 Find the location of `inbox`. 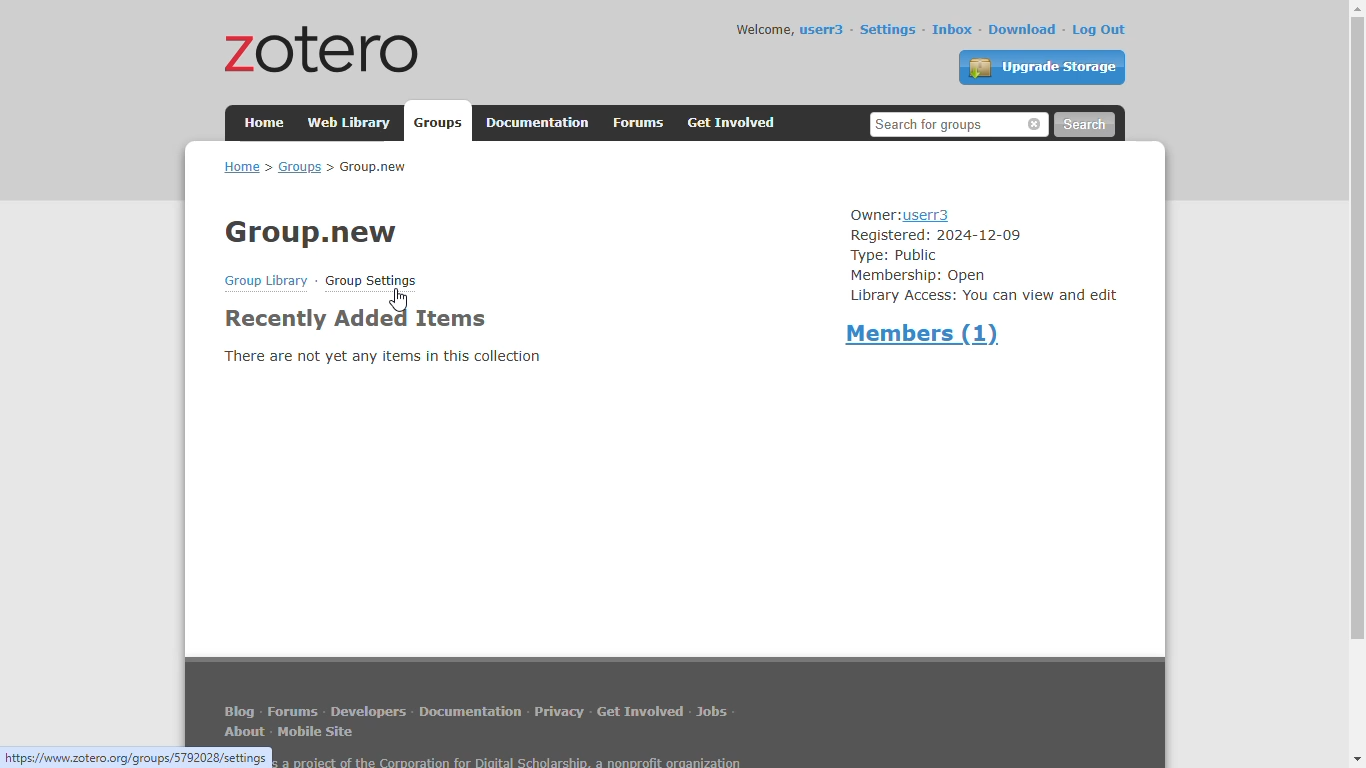

inbox is located at coordinates (953, 29).